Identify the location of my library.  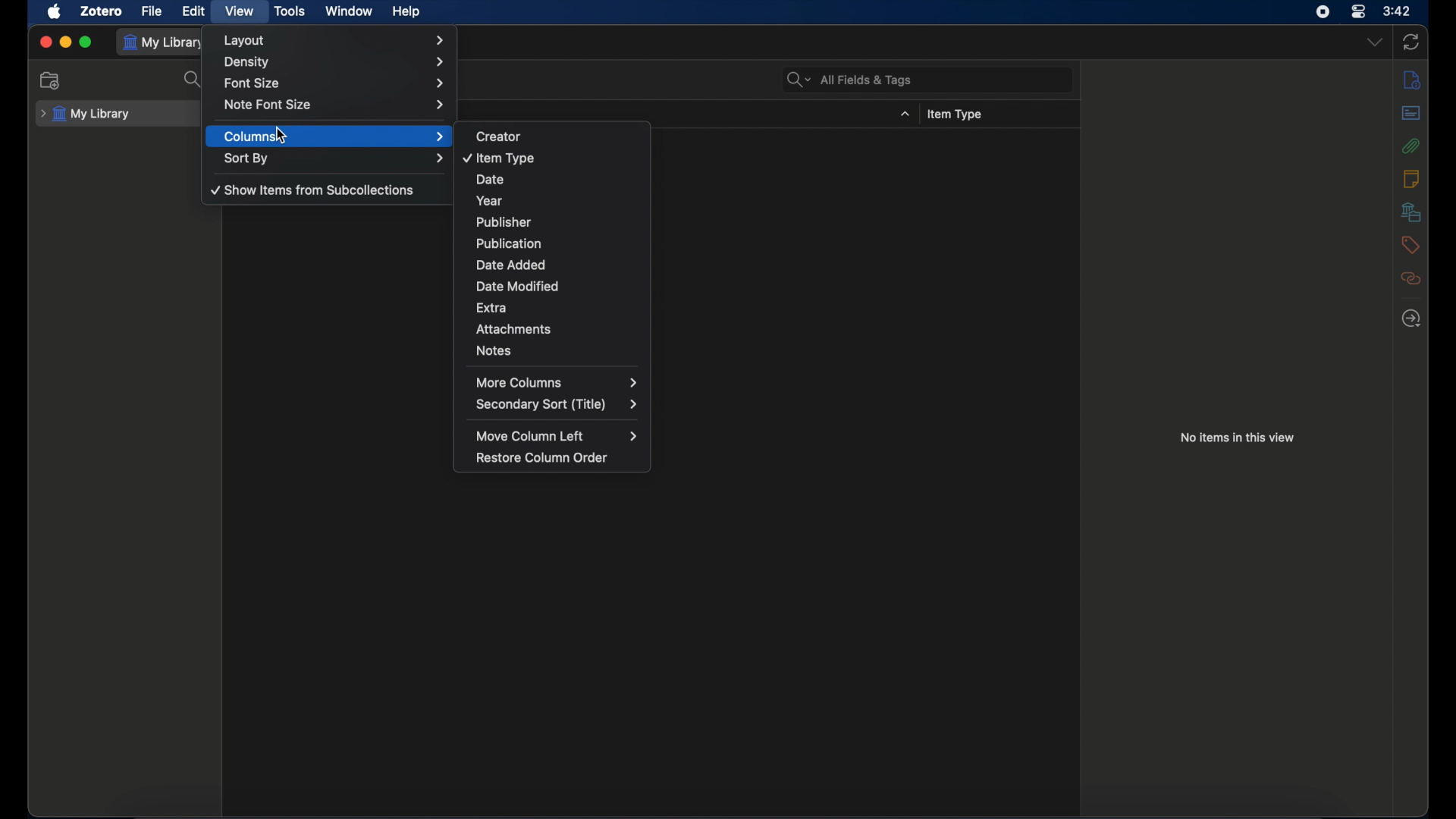
(165, 43).